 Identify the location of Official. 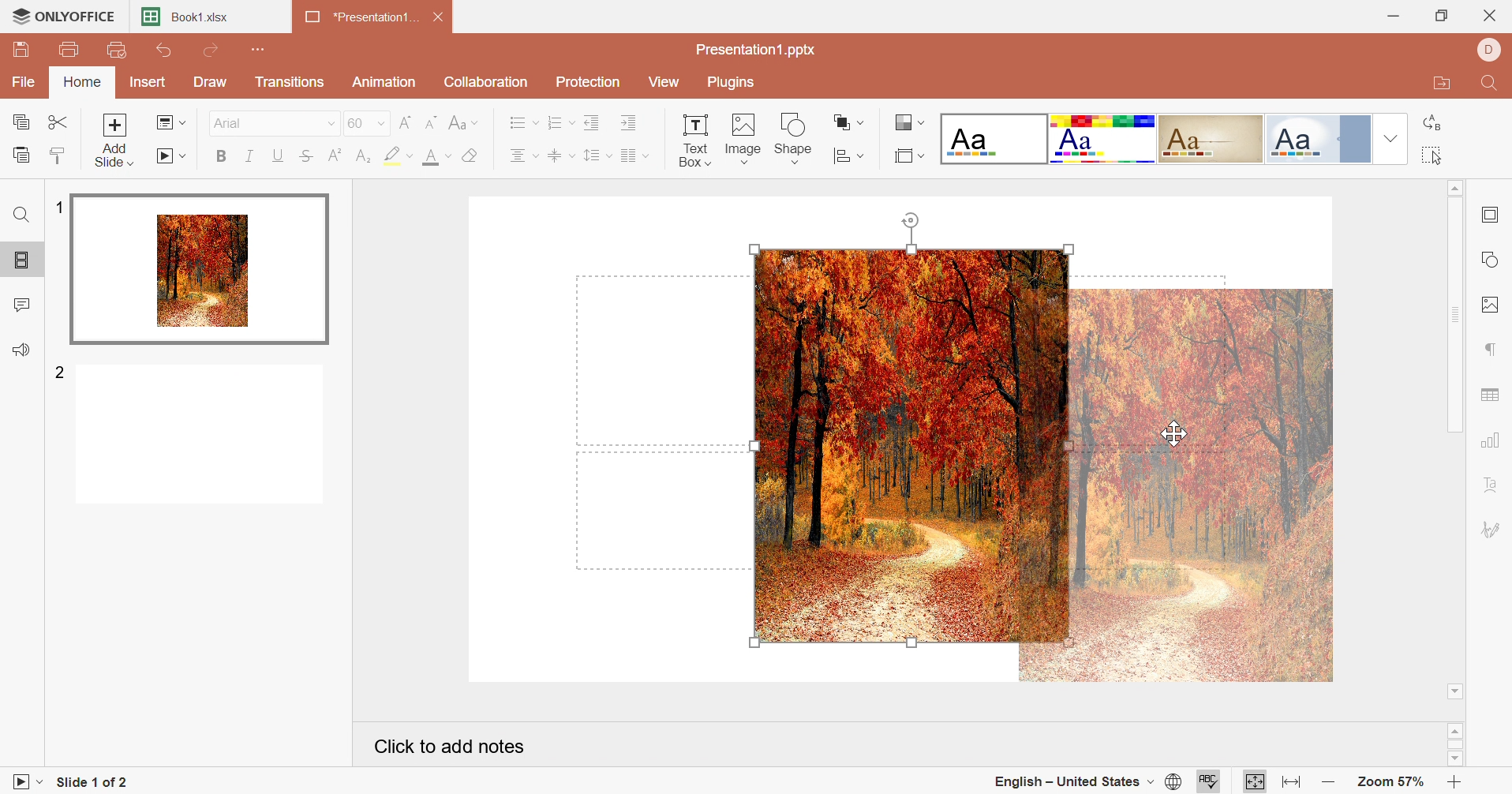
(1318, 139).